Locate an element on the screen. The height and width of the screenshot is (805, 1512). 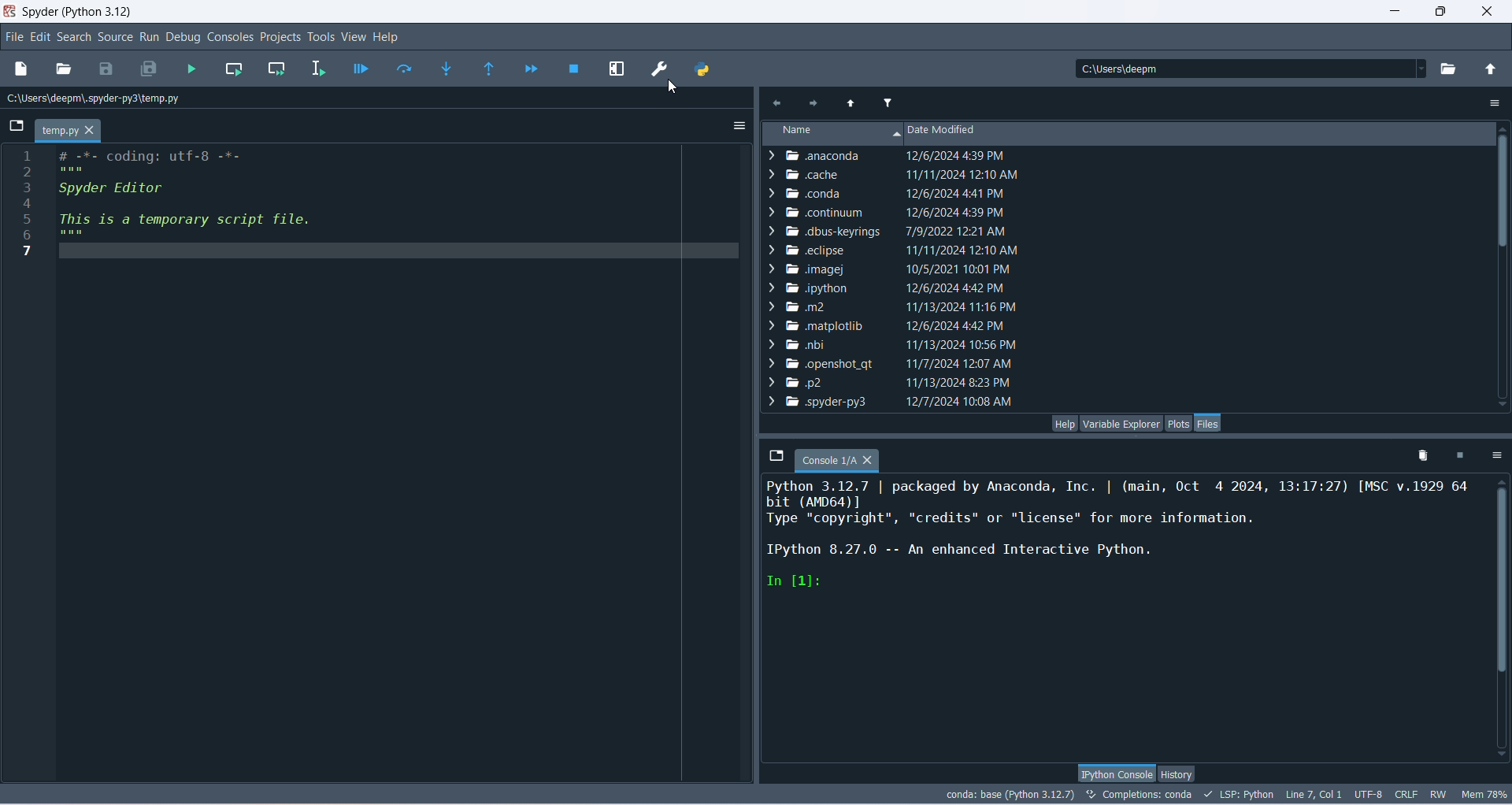
edit is located at coordinates (39, 37).